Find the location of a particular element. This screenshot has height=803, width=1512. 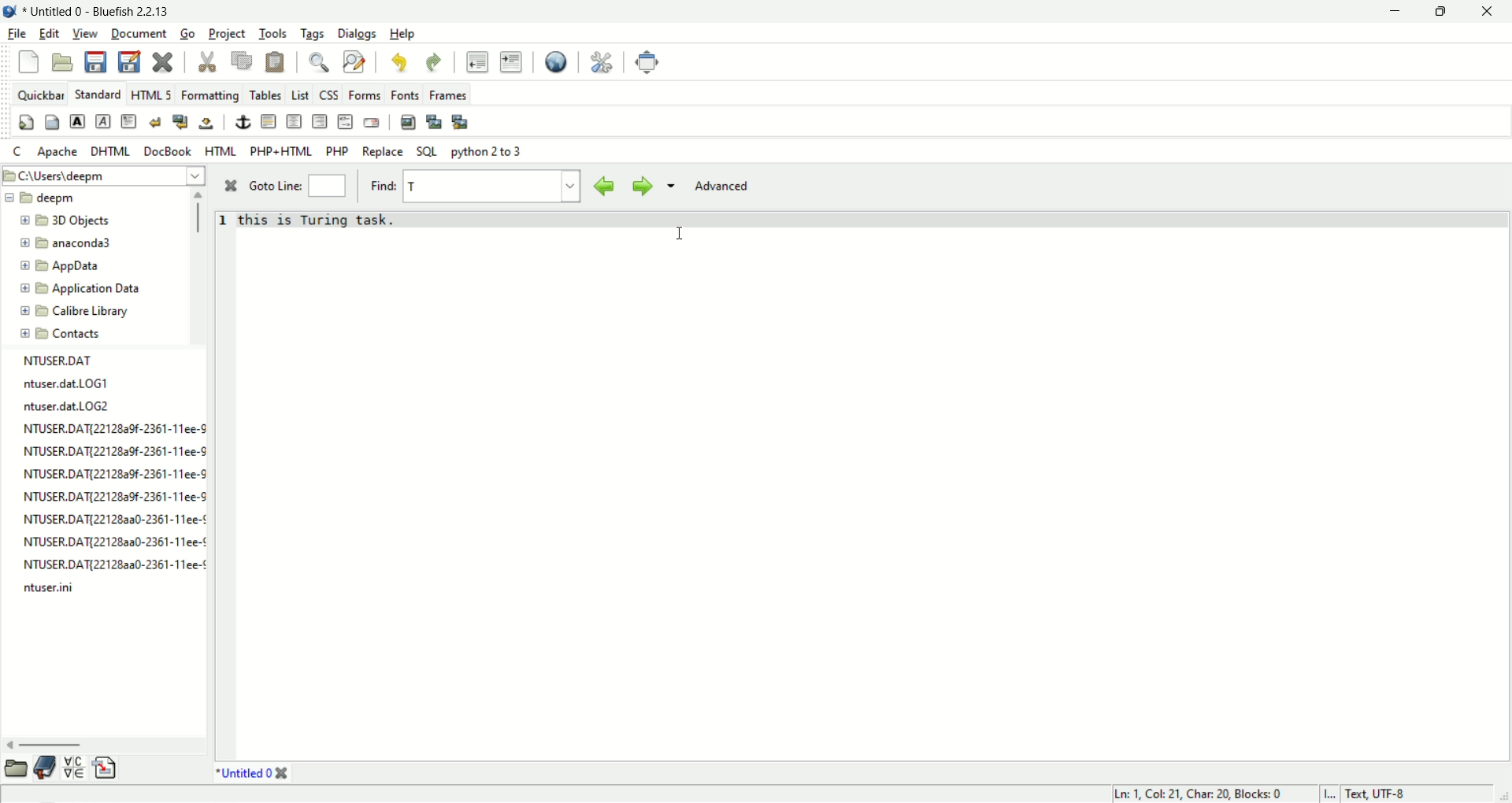

scroll bar is located at coordinates (199, 265).